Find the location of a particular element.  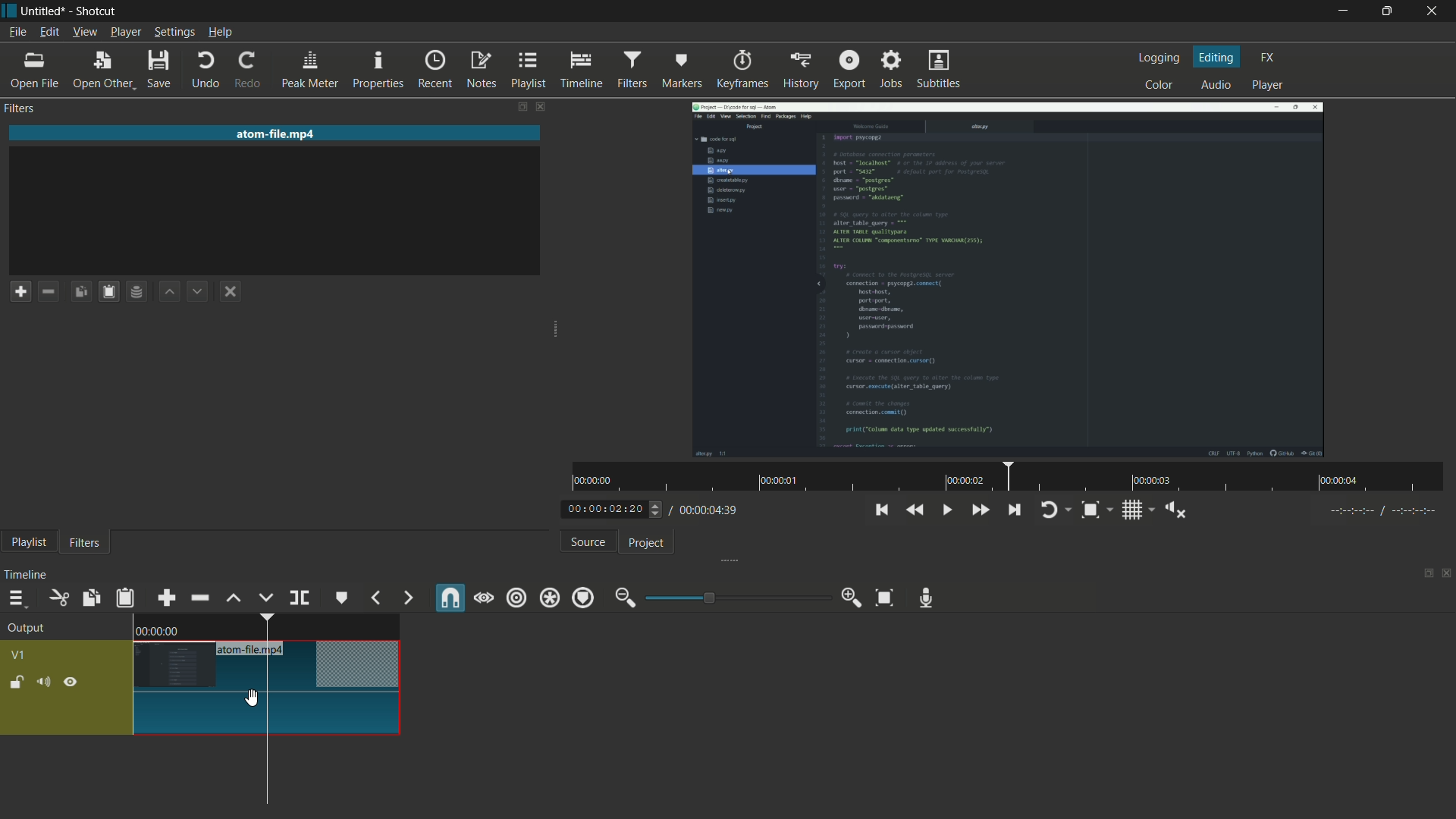

adjustment bar is located at coordinates (736, 596).